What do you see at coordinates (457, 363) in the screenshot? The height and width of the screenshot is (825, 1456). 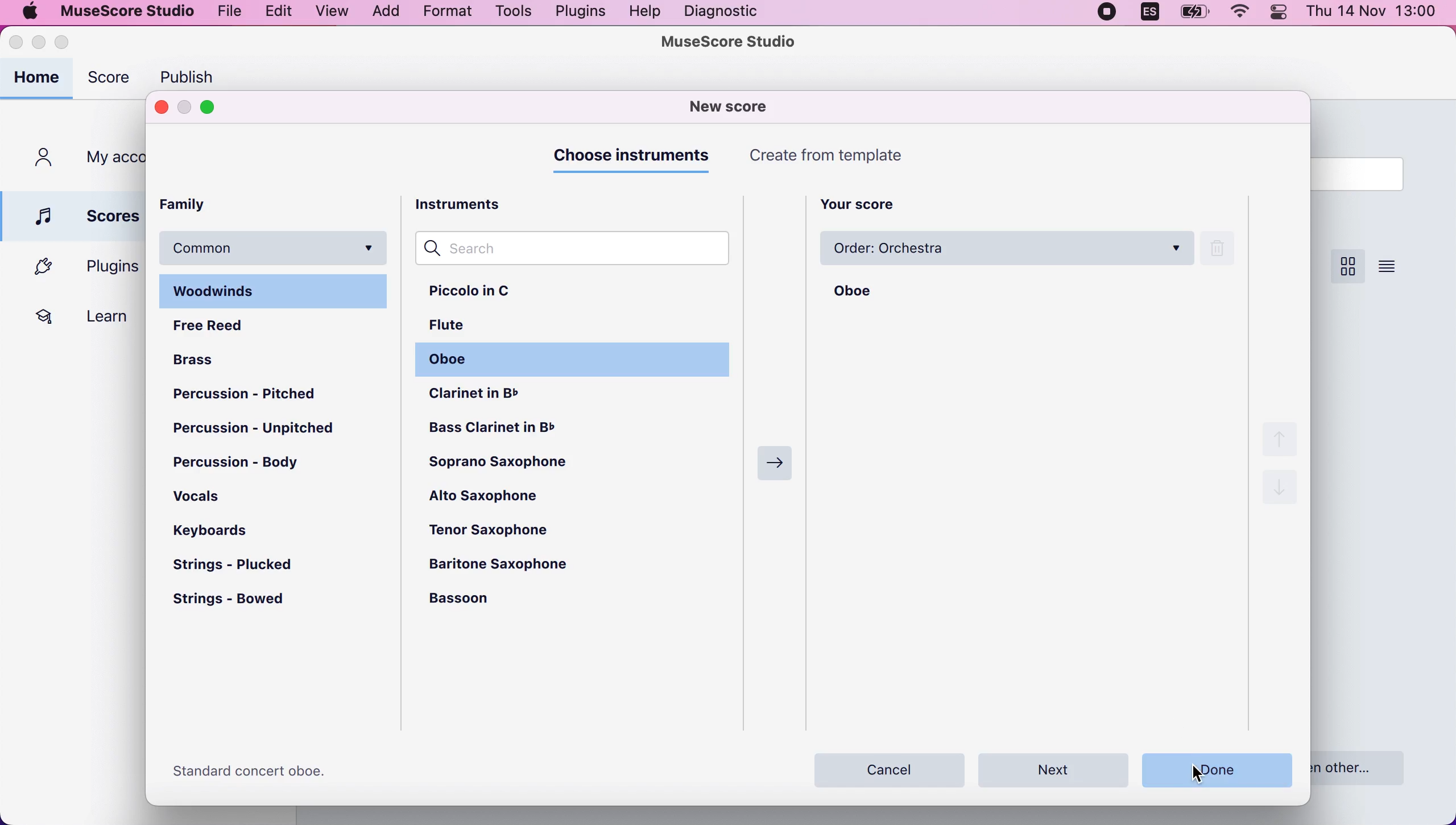 I see `oboe` at bounding box center [457, 363].